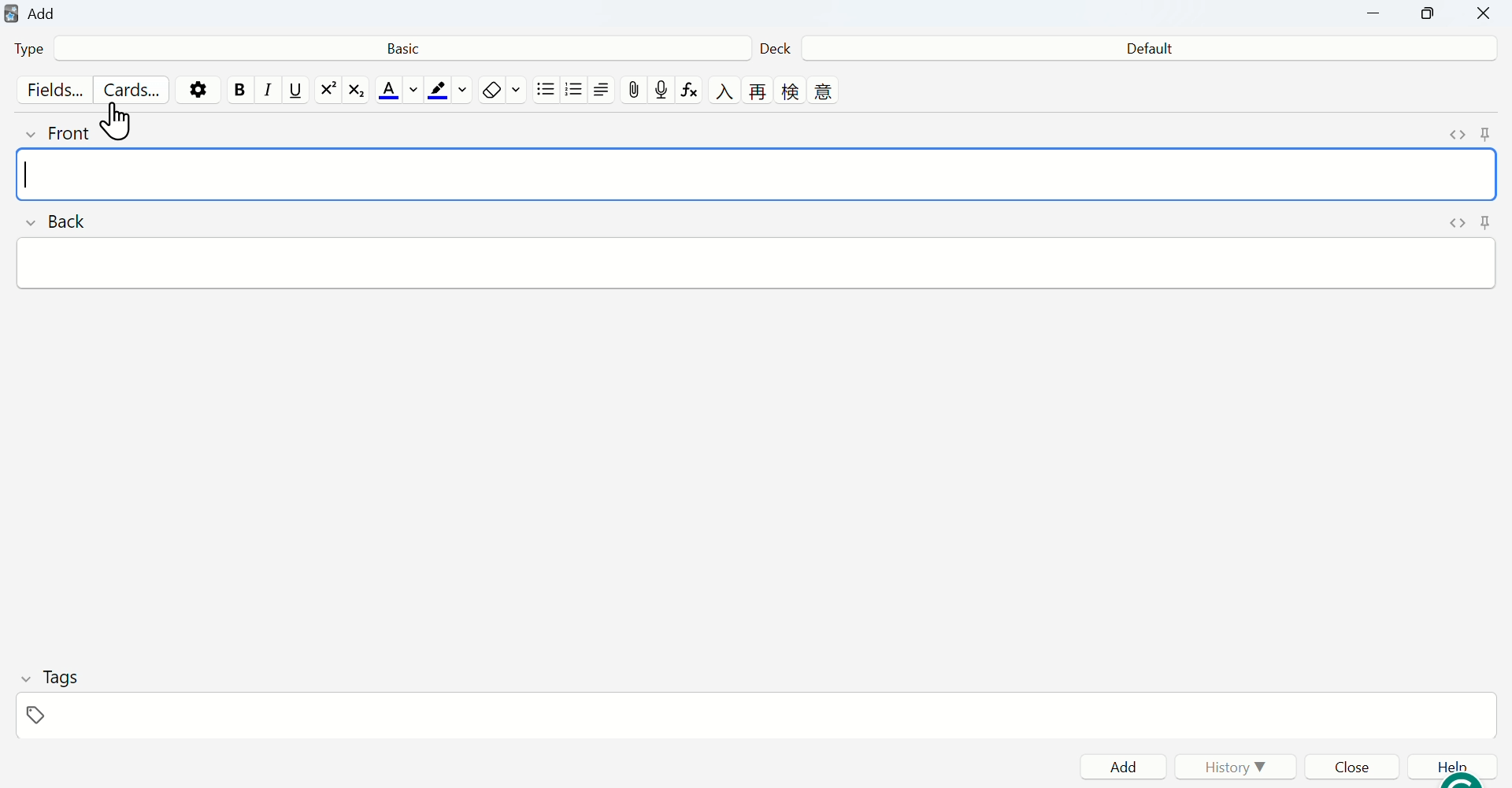 The width and height of the screenshot is (1512, 788). I want to click on change color, so click(413, 90).